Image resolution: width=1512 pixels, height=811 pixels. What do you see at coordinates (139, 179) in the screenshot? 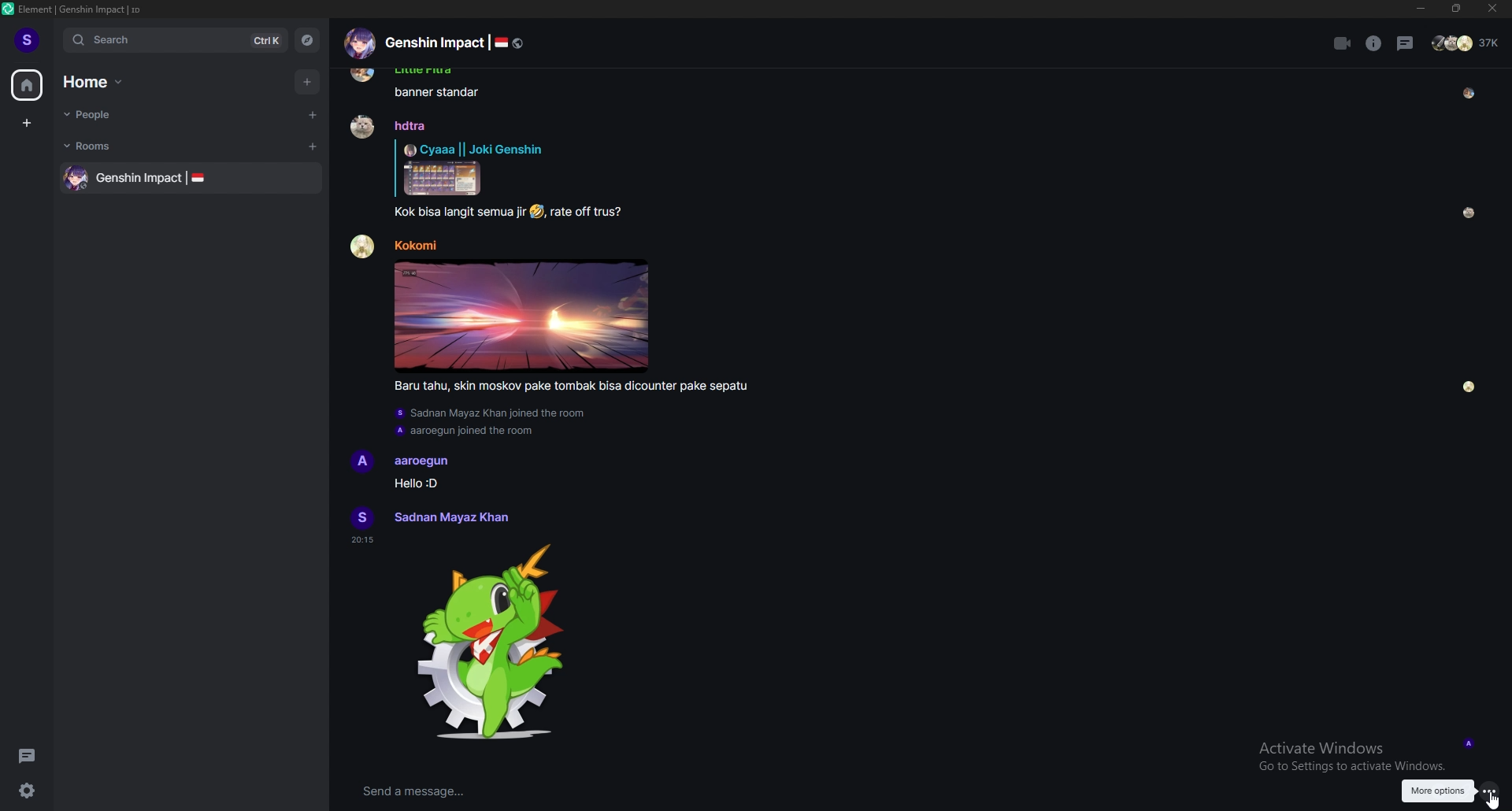
I see `Genshin Impact` at bounding box center [139, 179].